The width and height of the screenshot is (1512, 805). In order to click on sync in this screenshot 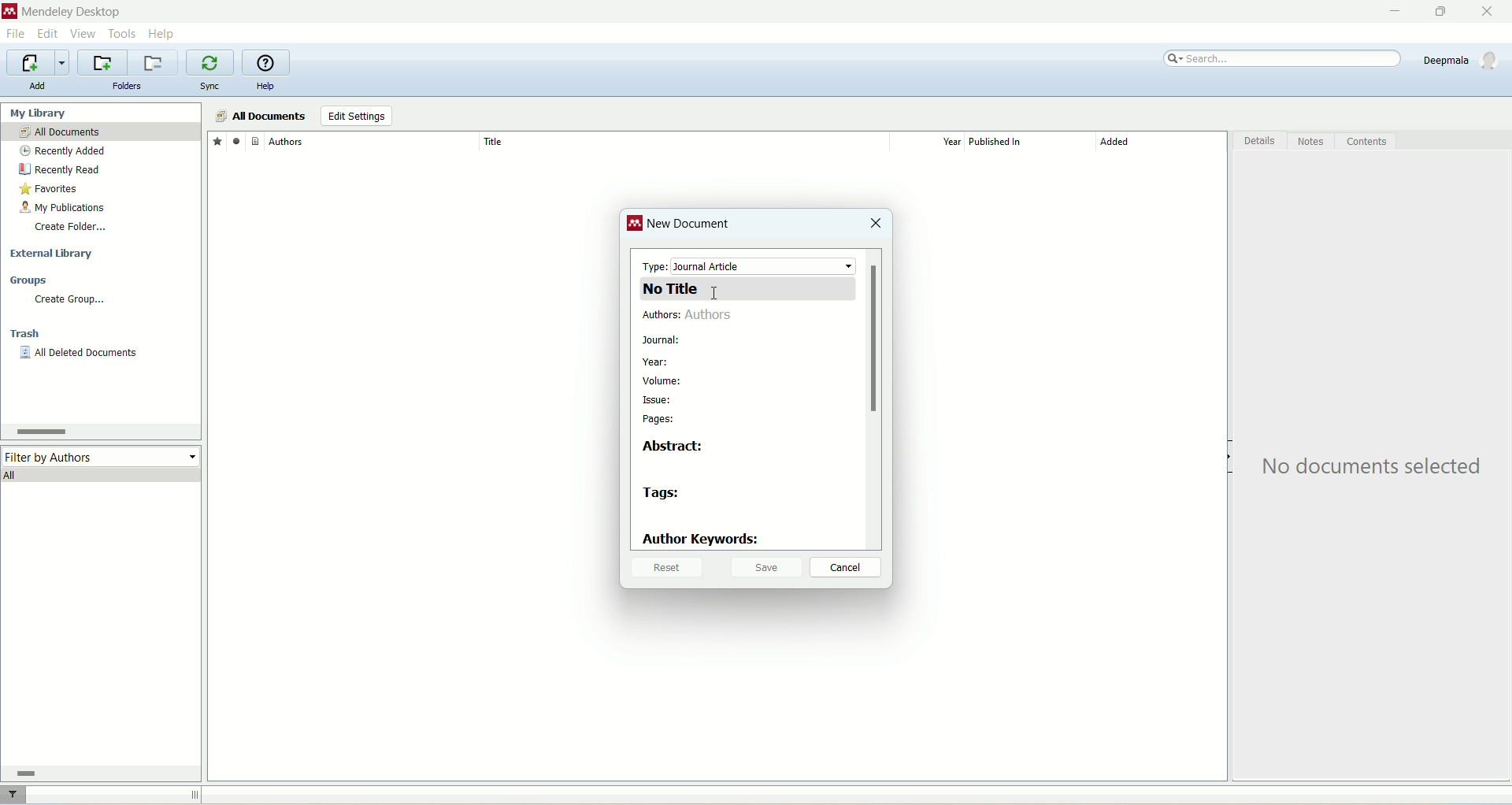, I will do `click(212, 87)`.